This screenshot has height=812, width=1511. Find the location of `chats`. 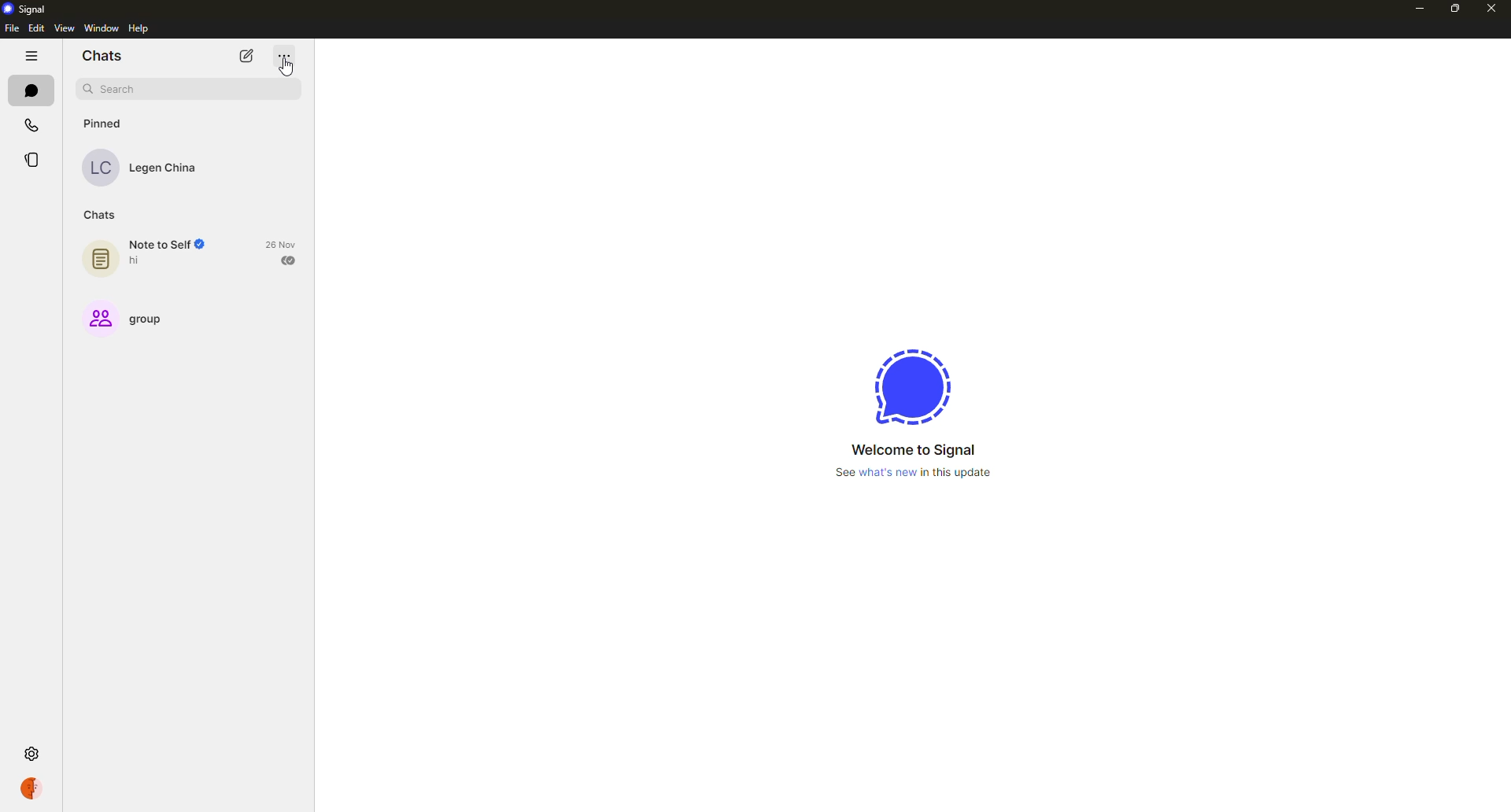

chats is located at coordinates (103, 57).